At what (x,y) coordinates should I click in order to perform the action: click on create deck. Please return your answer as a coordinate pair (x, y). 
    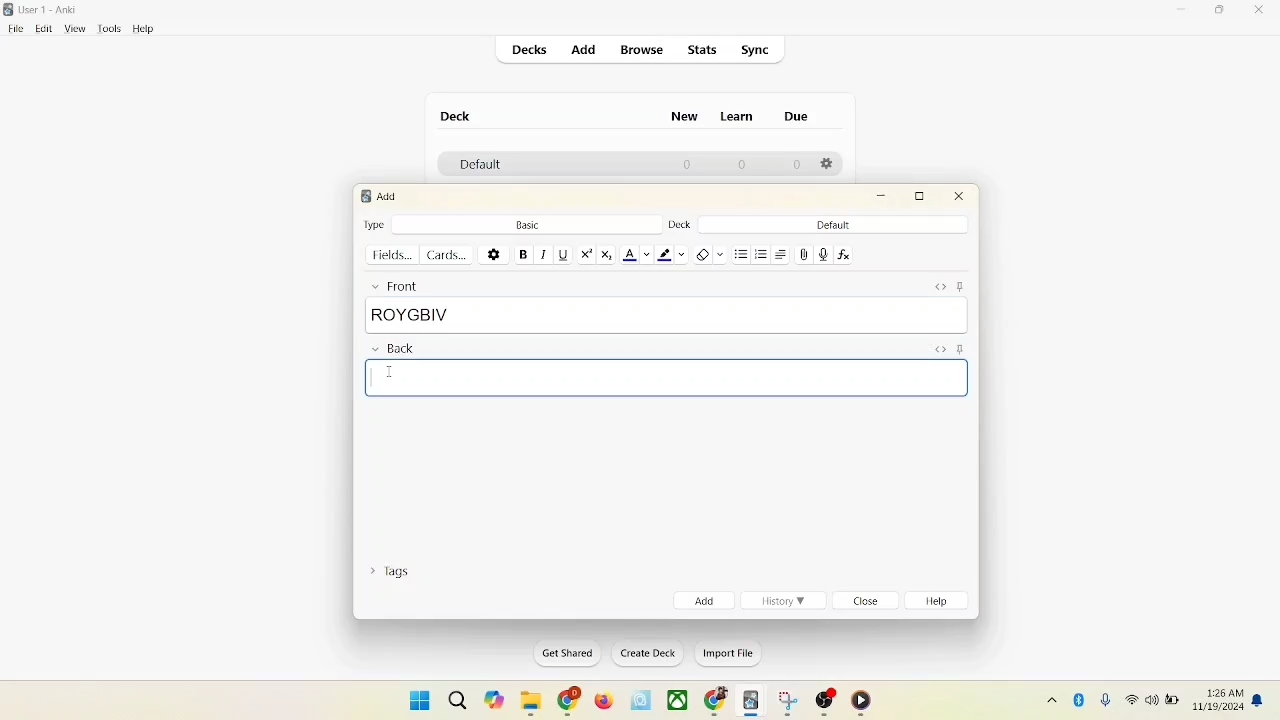
    Looking at the image, I should click on (644, 654).